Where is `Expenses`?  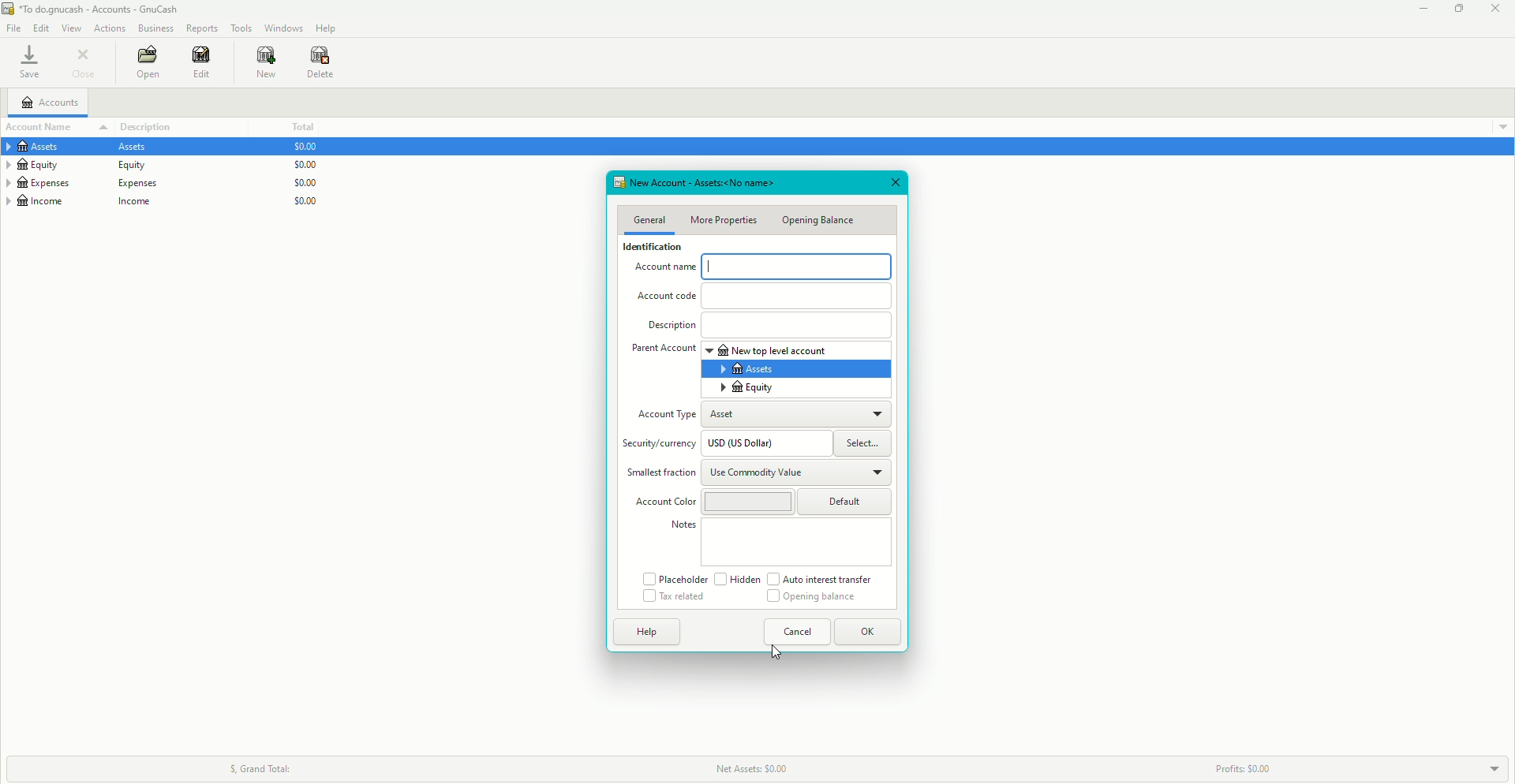
Expenses is located at coordinates (84, 183).